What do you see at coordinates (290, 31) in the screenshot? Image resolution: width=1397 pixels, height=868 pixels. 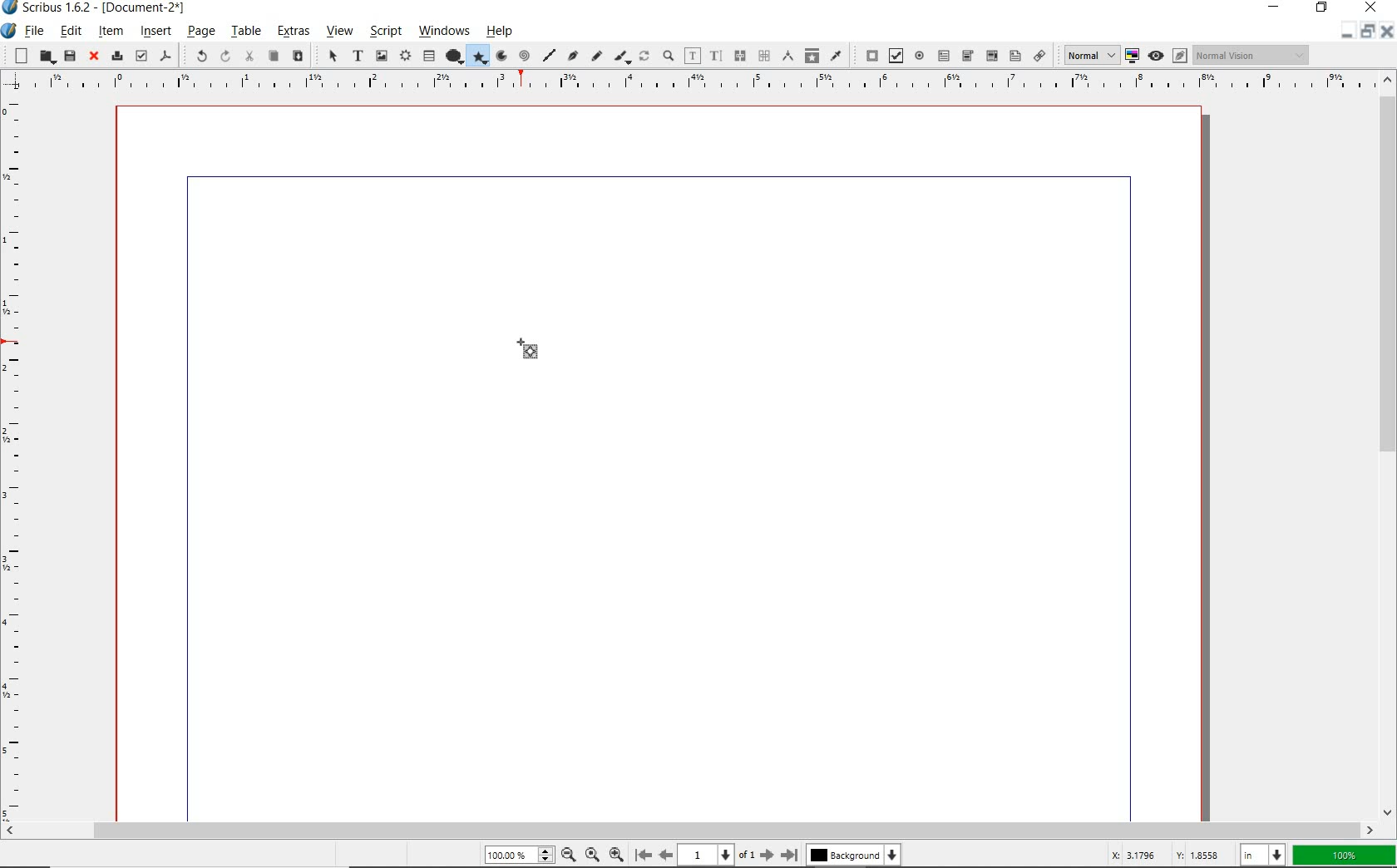 I see `extras` at bounding box center [290, 31].